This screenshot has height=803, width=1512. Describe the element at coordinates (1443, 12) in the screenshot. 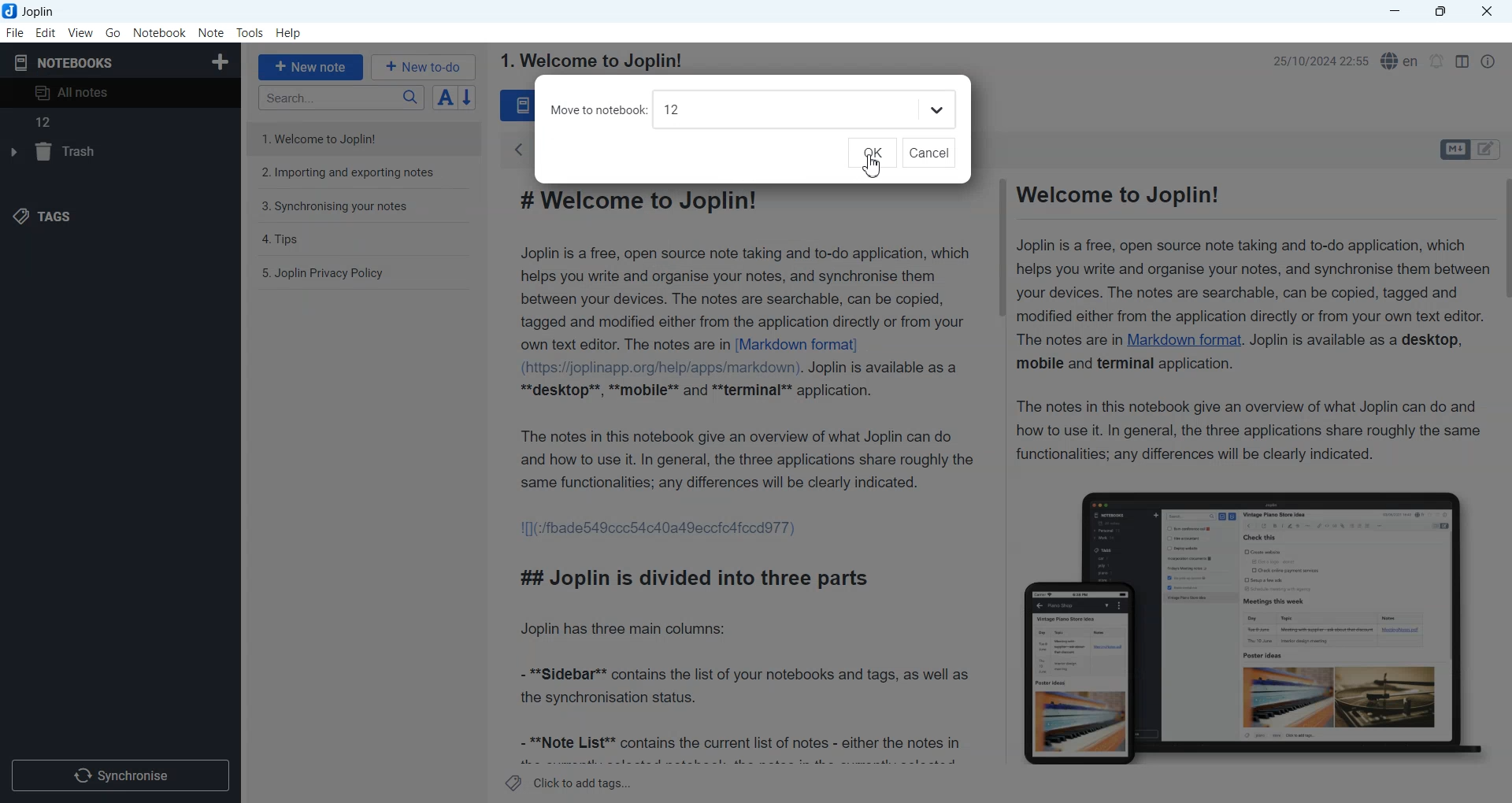

I see `Maximize` at that location.